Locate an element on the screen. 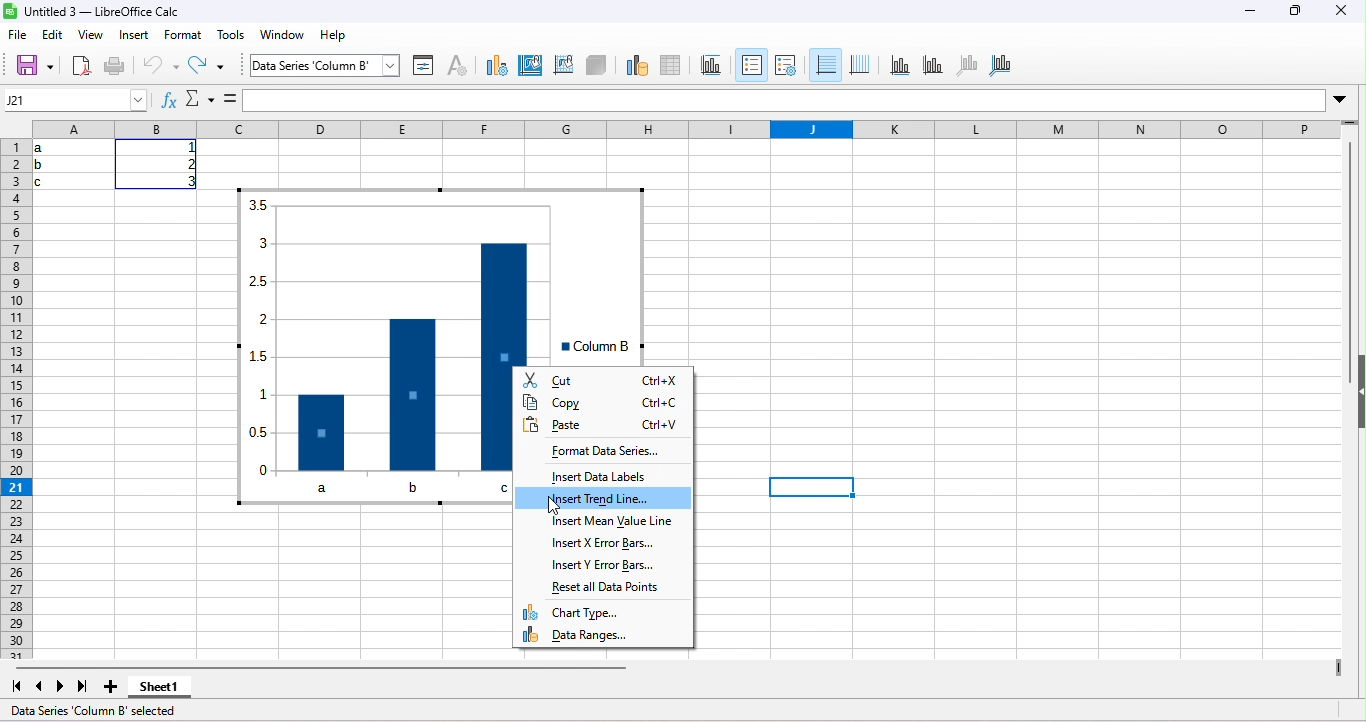 Image resolution: width=1366 pixels, height=722 pixels. data ranges is located at coordinates (592, 634).